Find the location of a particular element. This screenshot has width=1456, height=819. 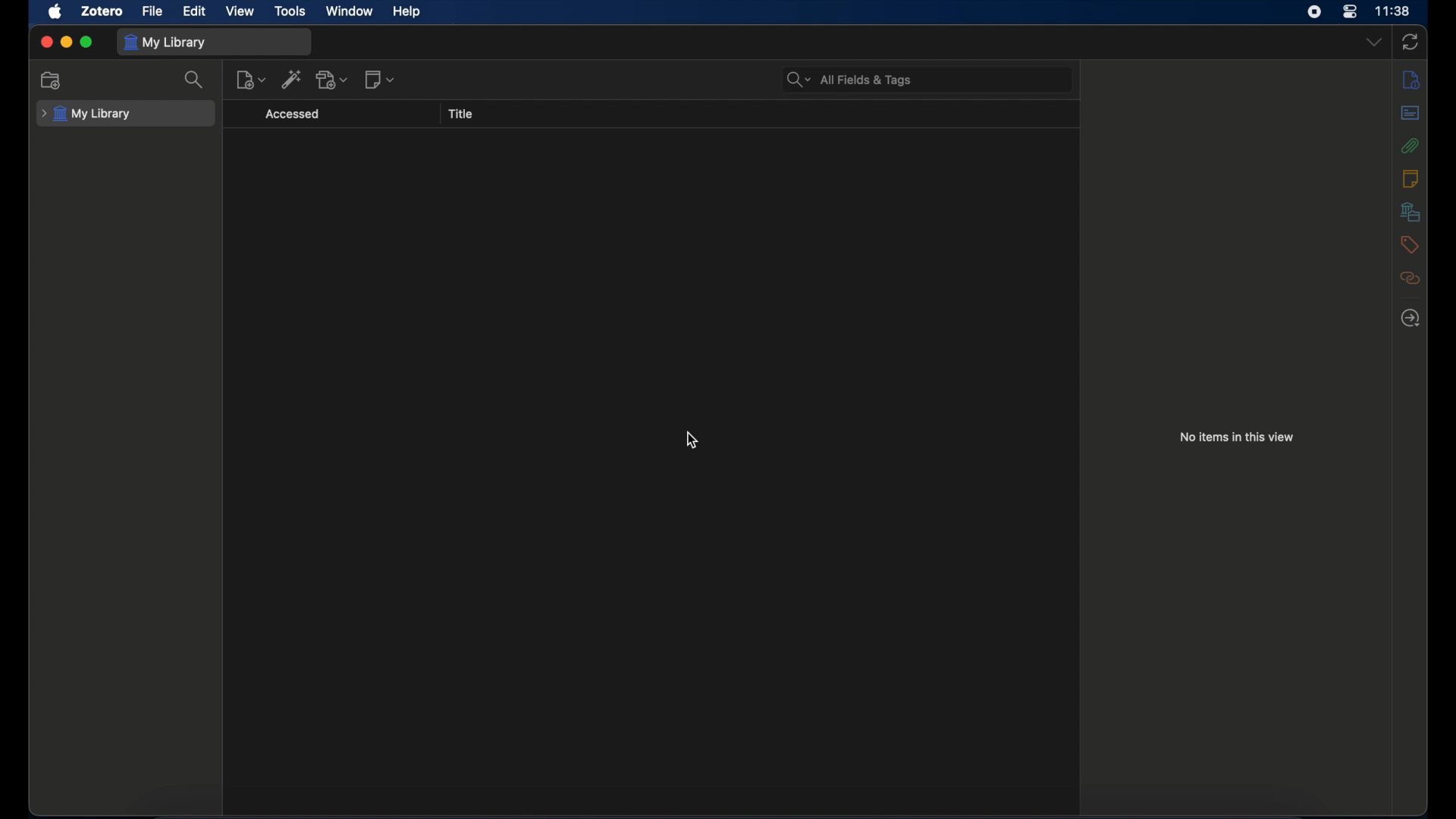

locate is located at coordinates (1410, 318).